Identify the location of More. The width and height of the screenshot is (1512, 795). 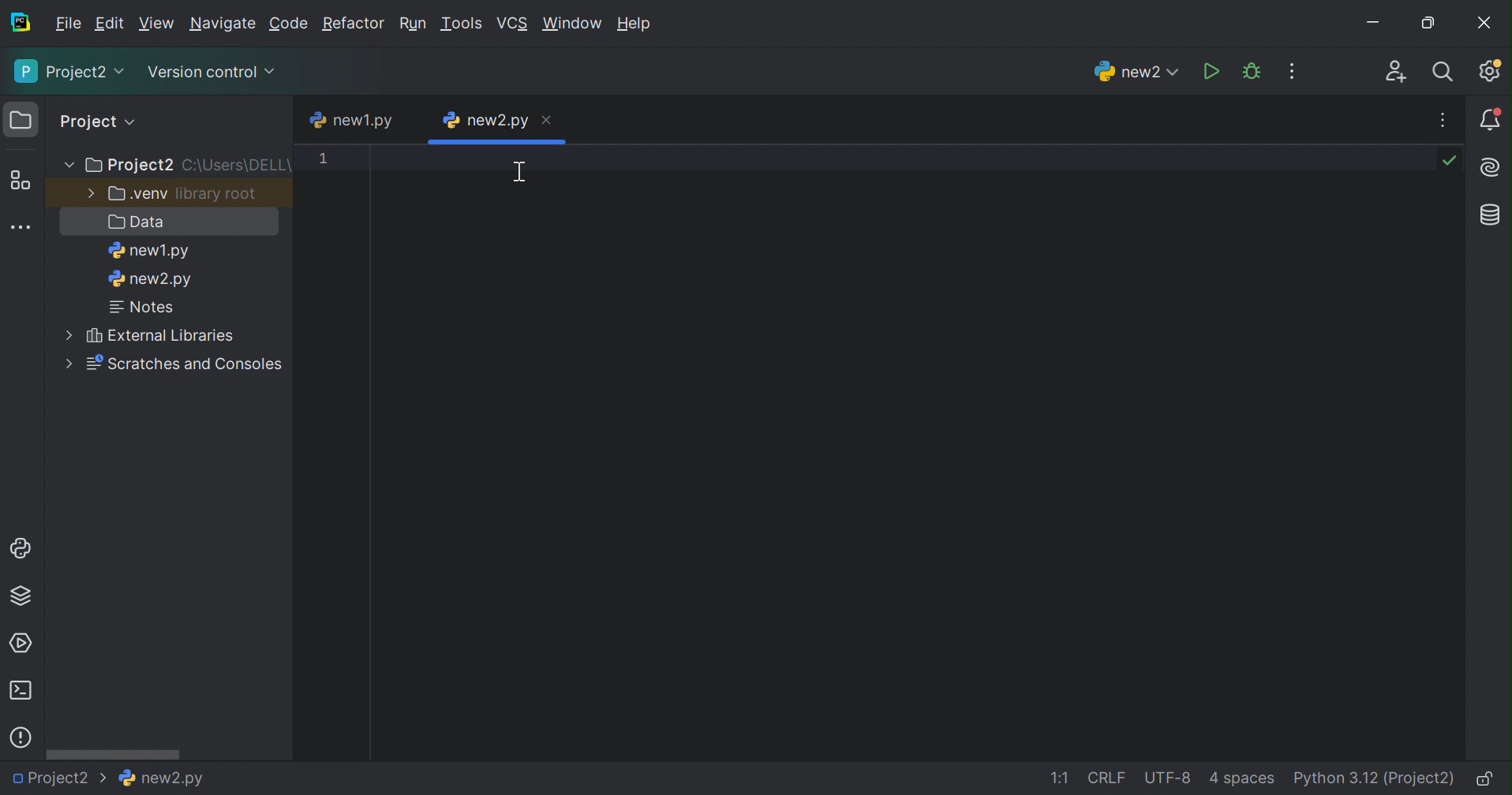
(88, 192).